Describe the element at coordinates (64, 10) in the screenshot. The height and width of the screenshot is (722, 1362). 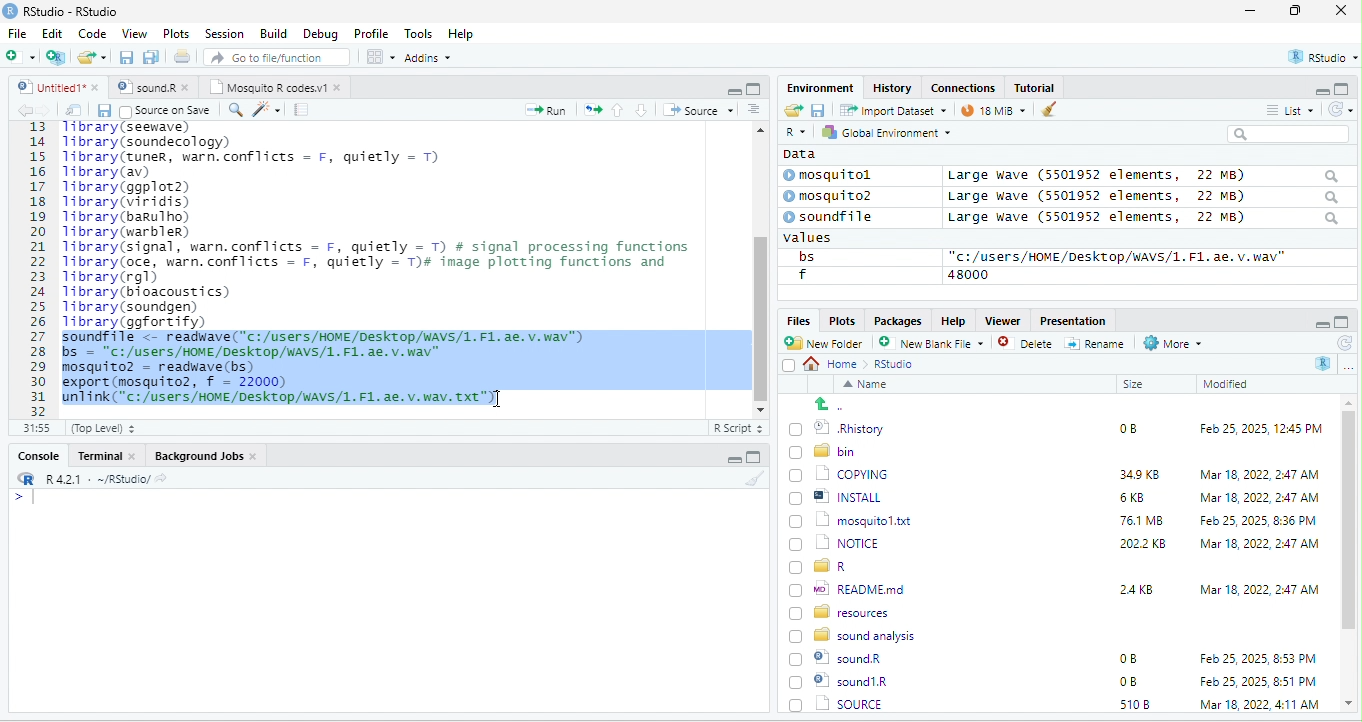
I see `RStudio` at that location.